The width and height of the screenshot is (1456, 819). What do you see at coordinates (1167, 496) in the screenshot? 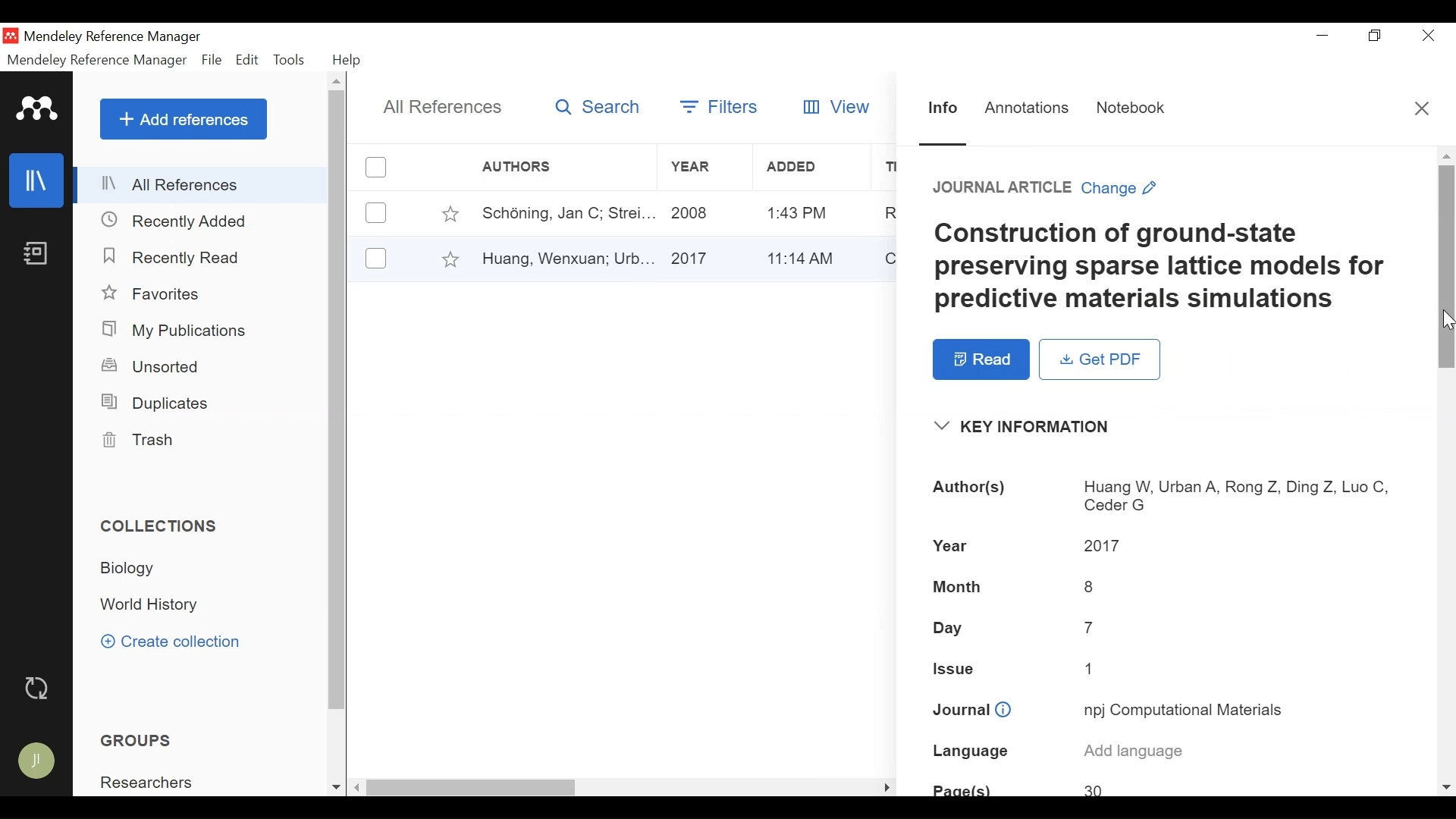
I see `Authors` at bounding box center [1167, 496].